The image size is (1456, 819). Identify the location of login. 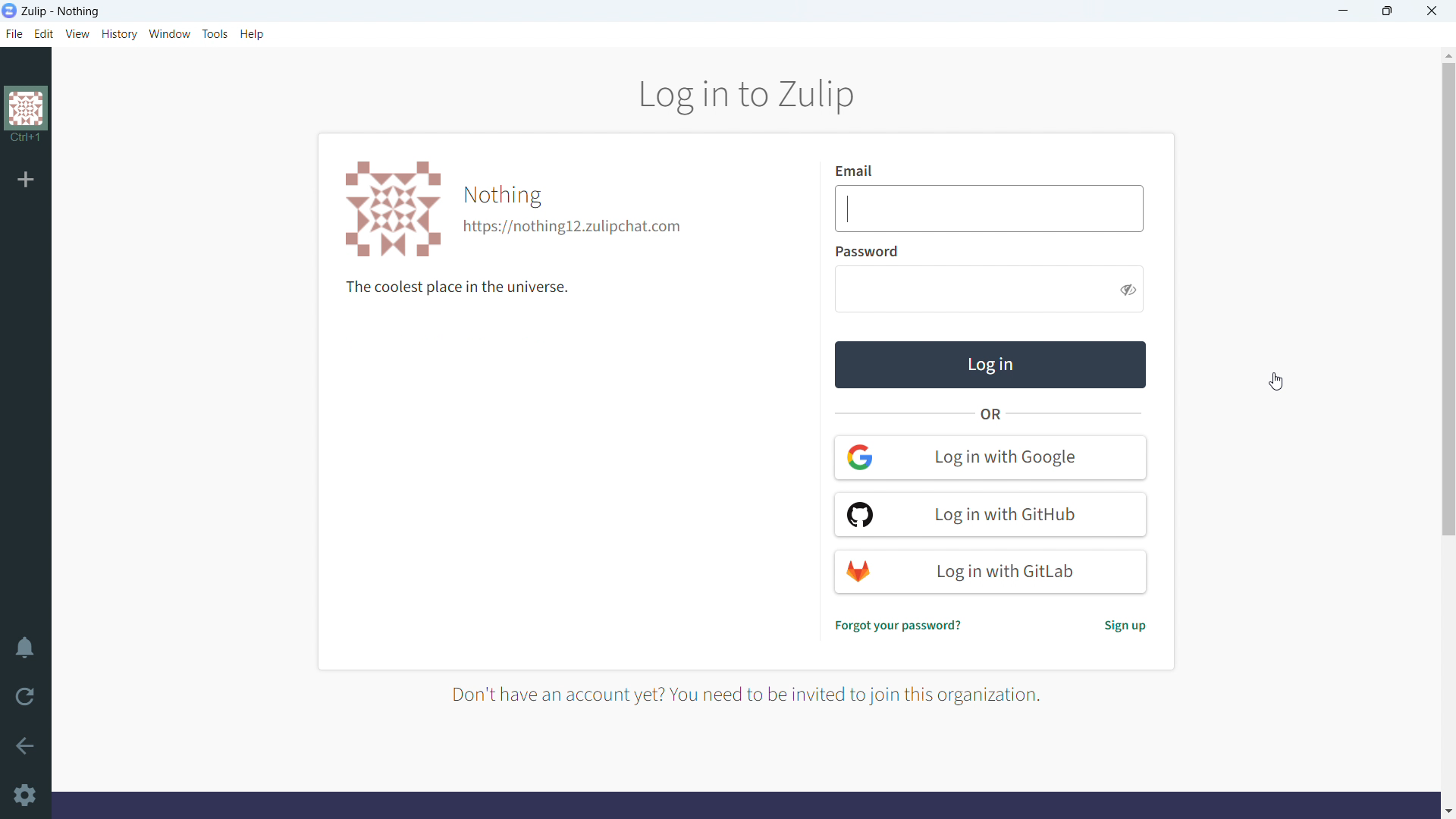
(990, 366).